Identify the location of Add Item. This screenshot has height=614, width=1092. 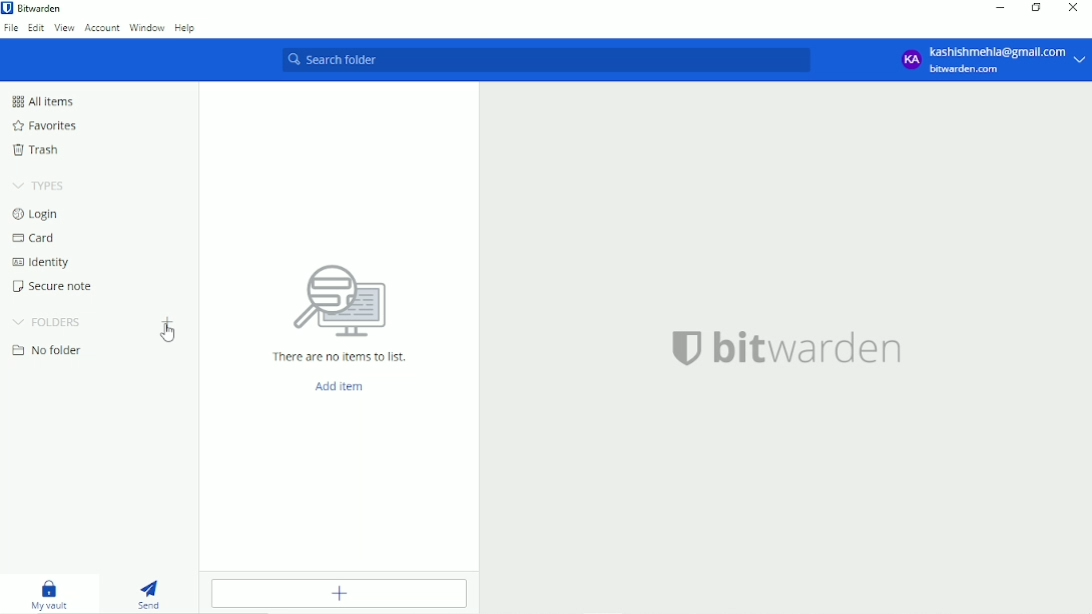
(345, 386).